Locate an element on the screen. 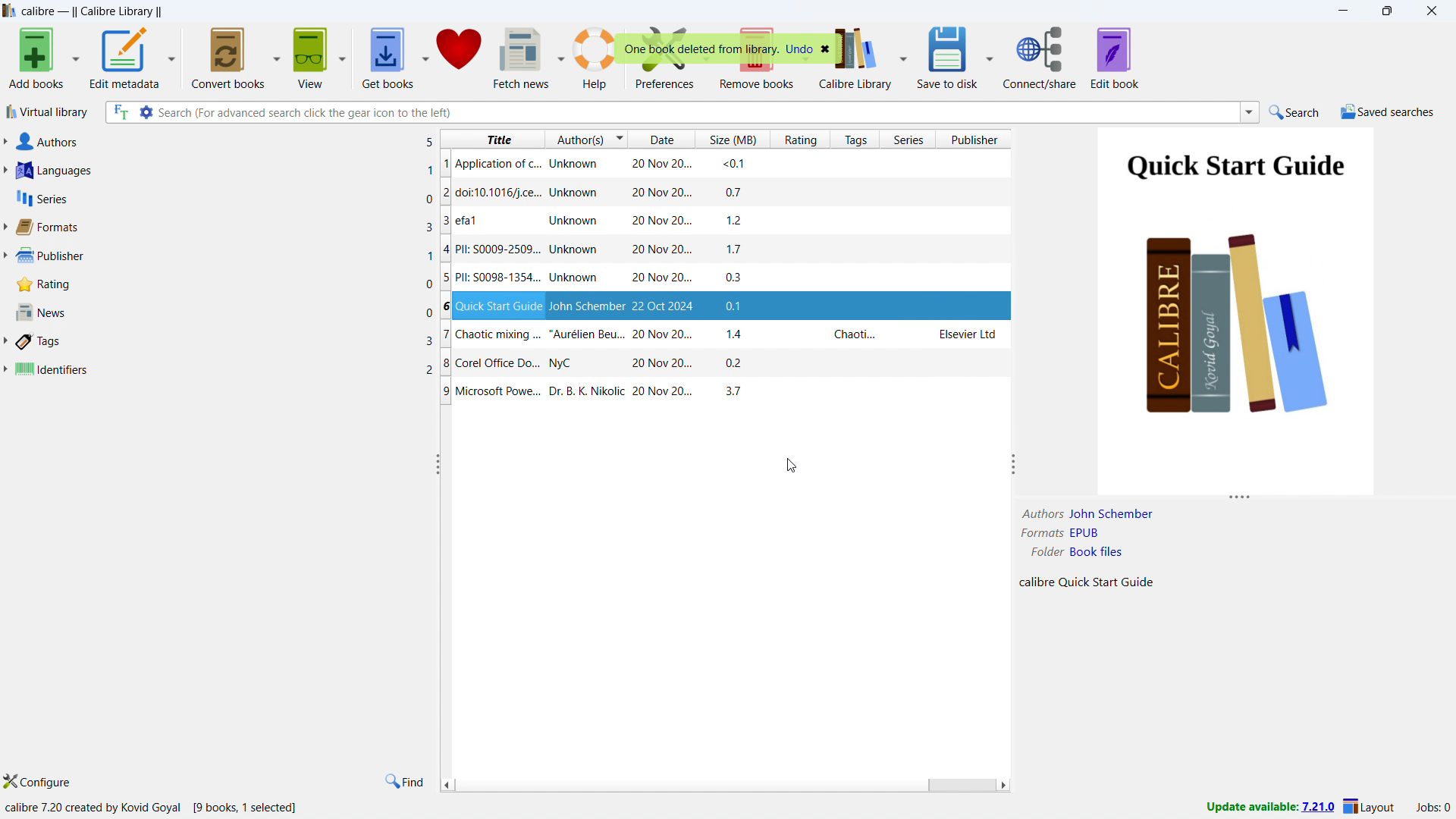 This screenshot has width=1456, height=819. resize is located at coordinates (438, 464).